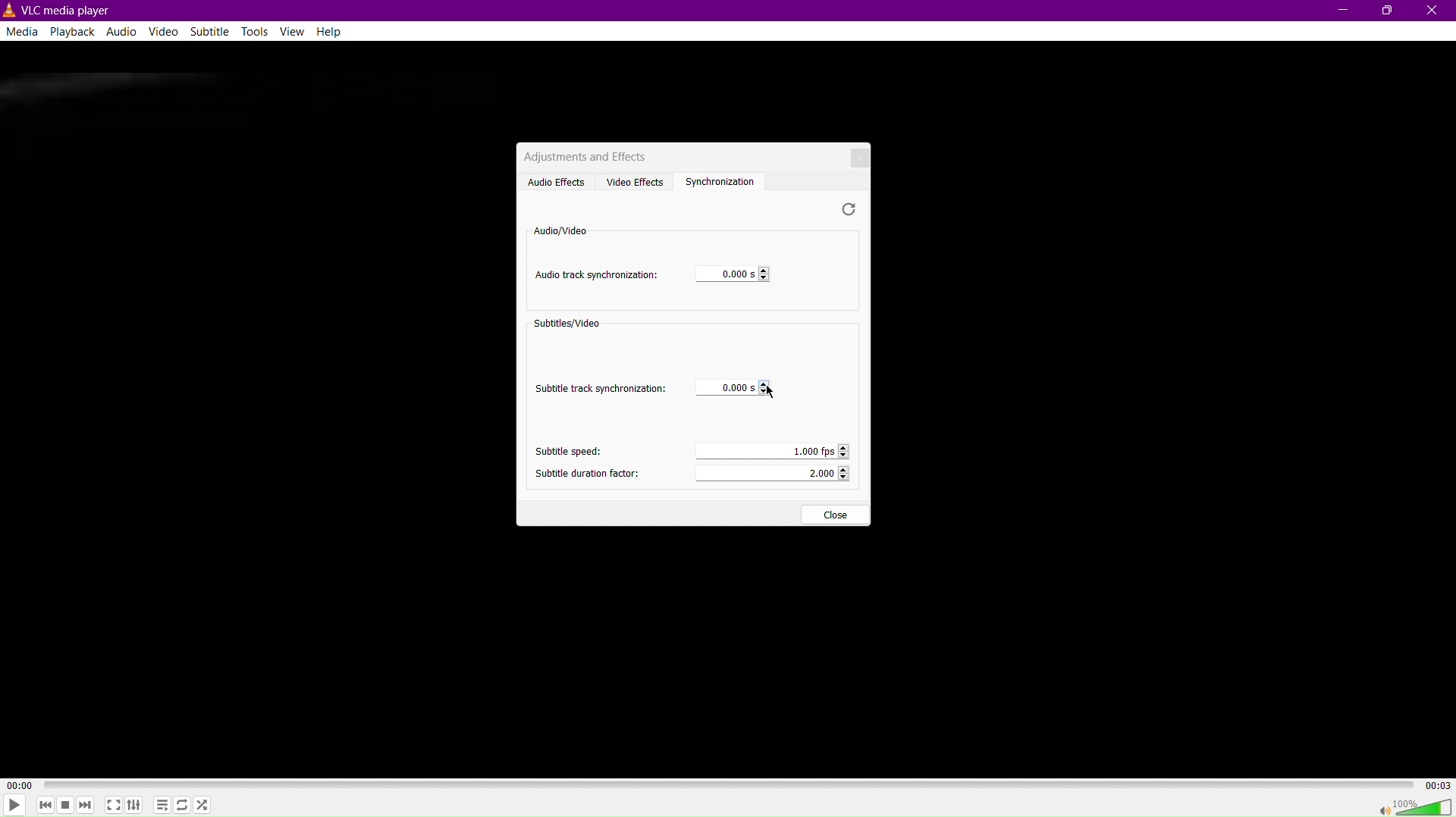 The width and height of the screenshot is (1456, 817). I want to click on Cursor Position, so click(770, 391).